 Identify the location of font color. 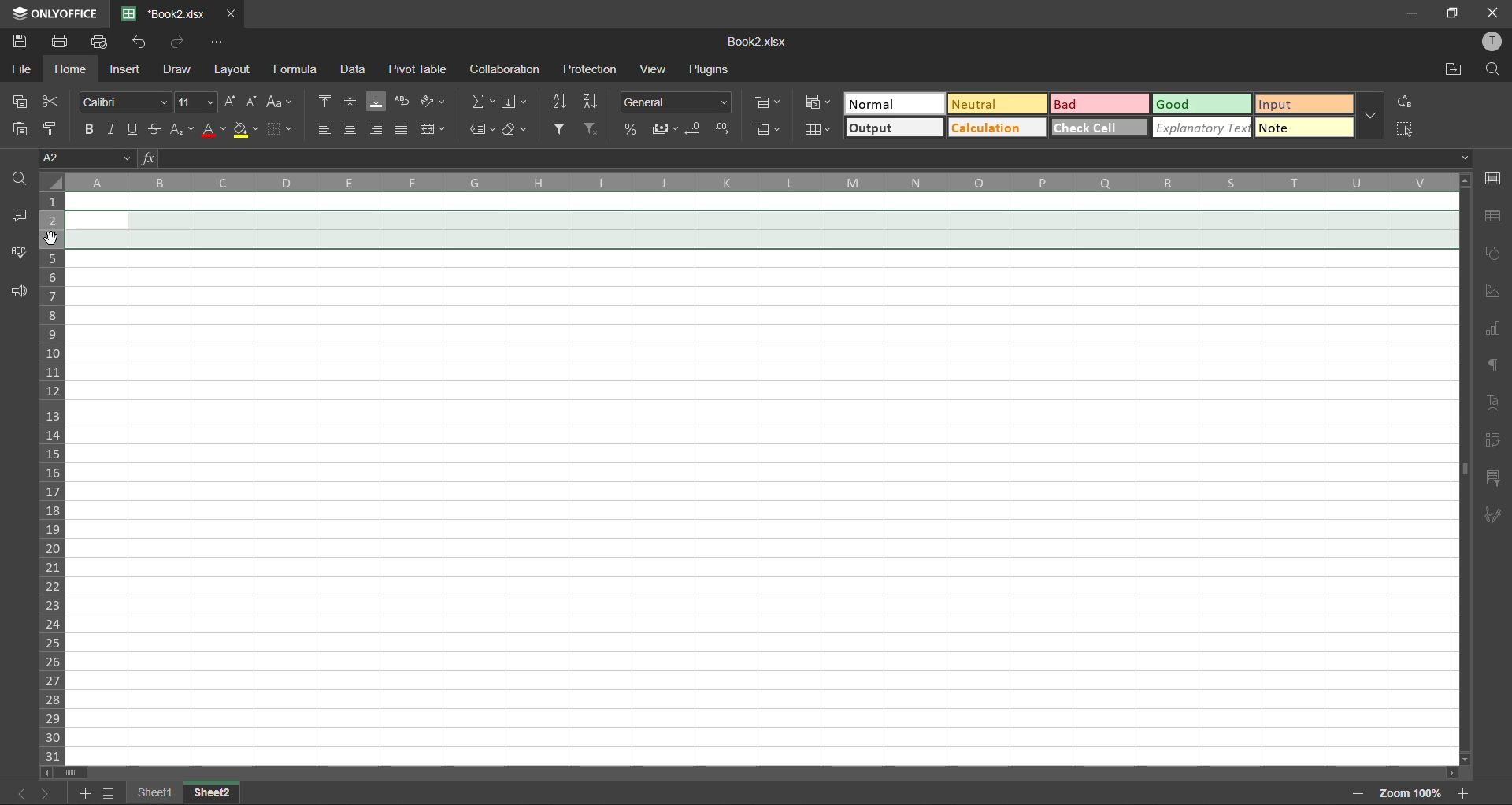
(210, 129).